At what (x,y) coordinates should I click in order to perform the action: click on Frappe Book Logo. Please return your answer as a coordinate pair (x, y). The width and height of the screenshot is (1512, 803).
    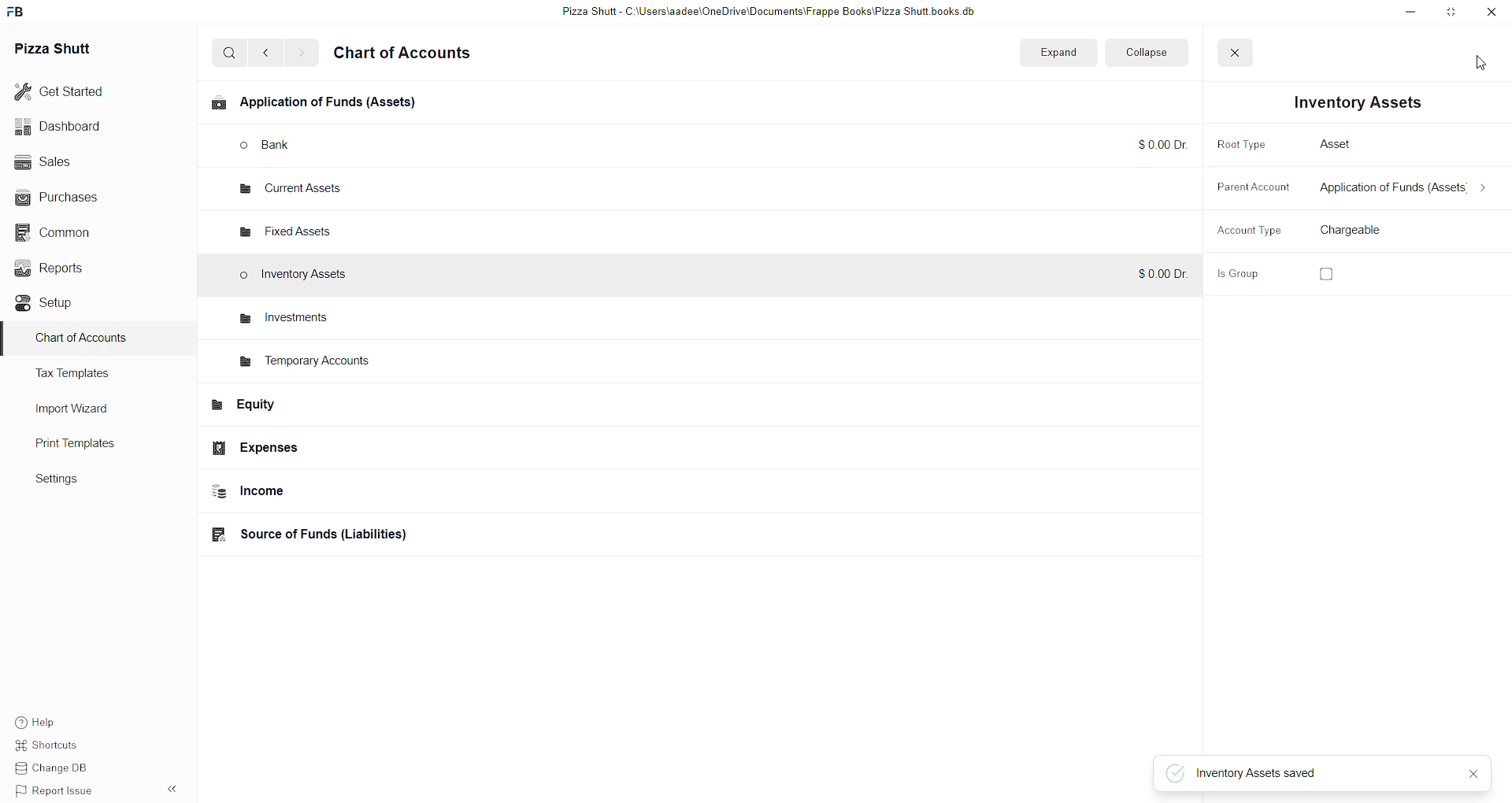
    Looking at the image, I should click on (23, 12).